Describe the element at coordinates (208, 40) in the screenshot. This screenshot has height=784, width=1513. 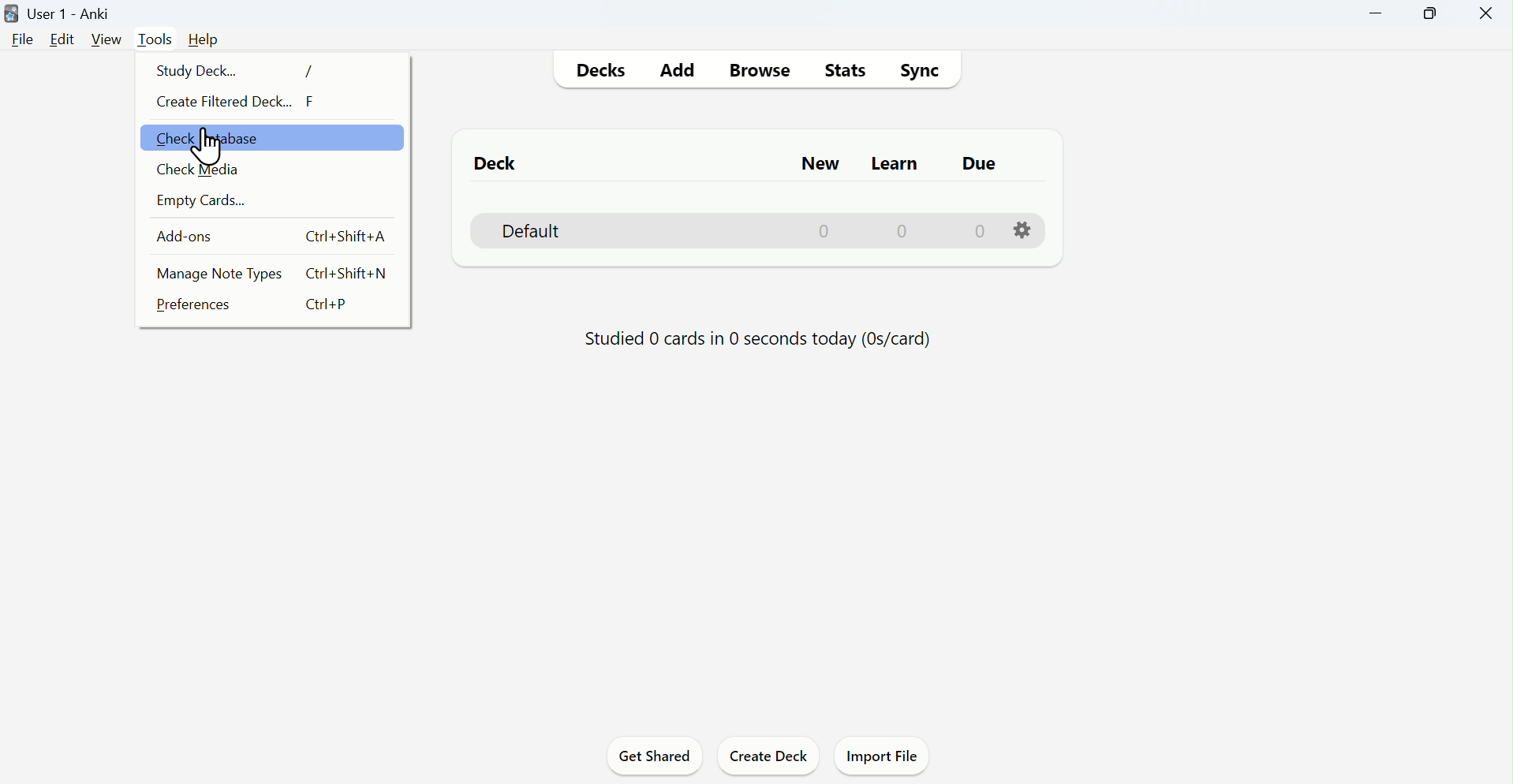
I see `Help` at that location.